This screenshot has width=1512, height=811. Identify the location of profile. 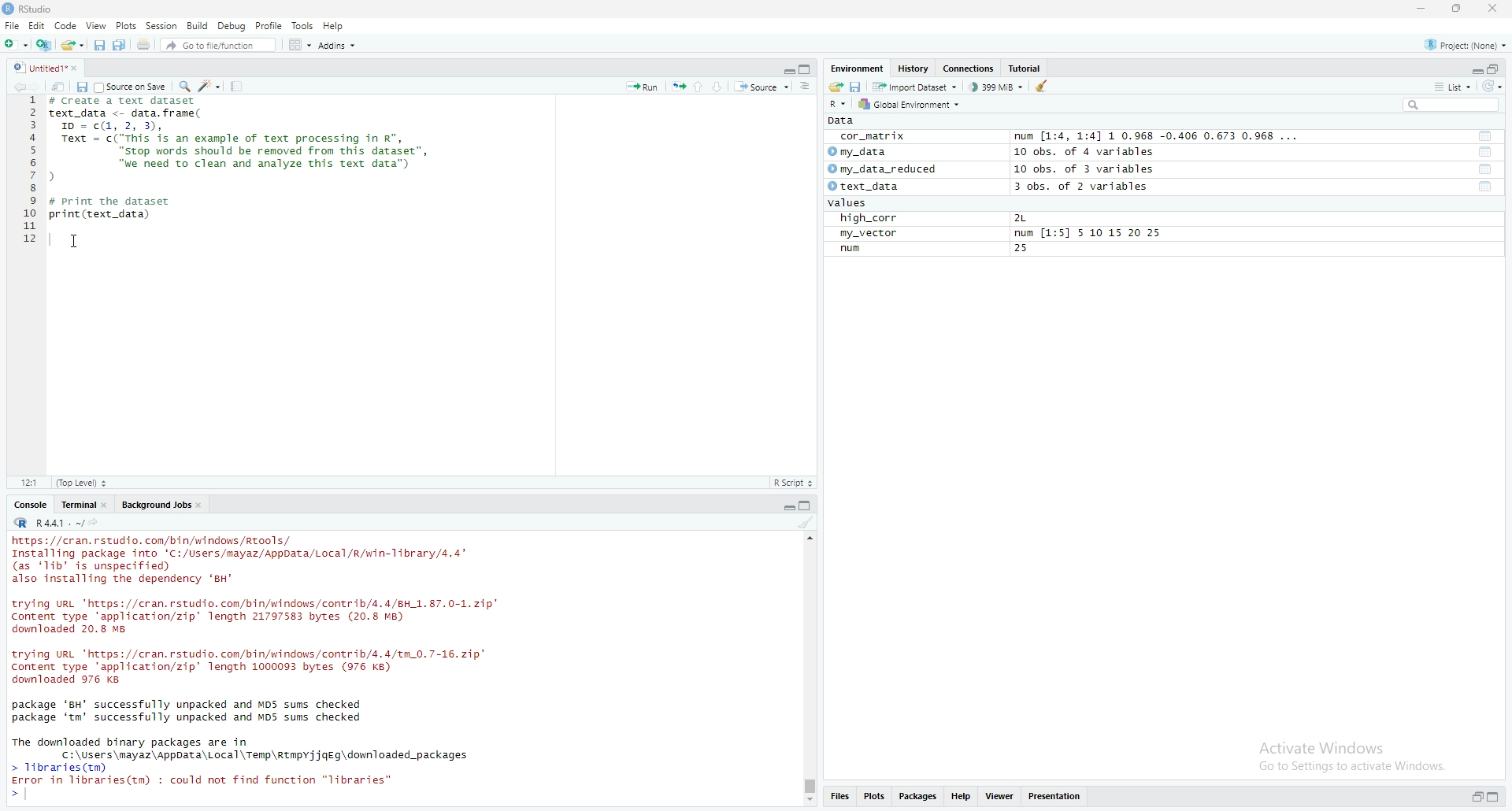
(271, 25).